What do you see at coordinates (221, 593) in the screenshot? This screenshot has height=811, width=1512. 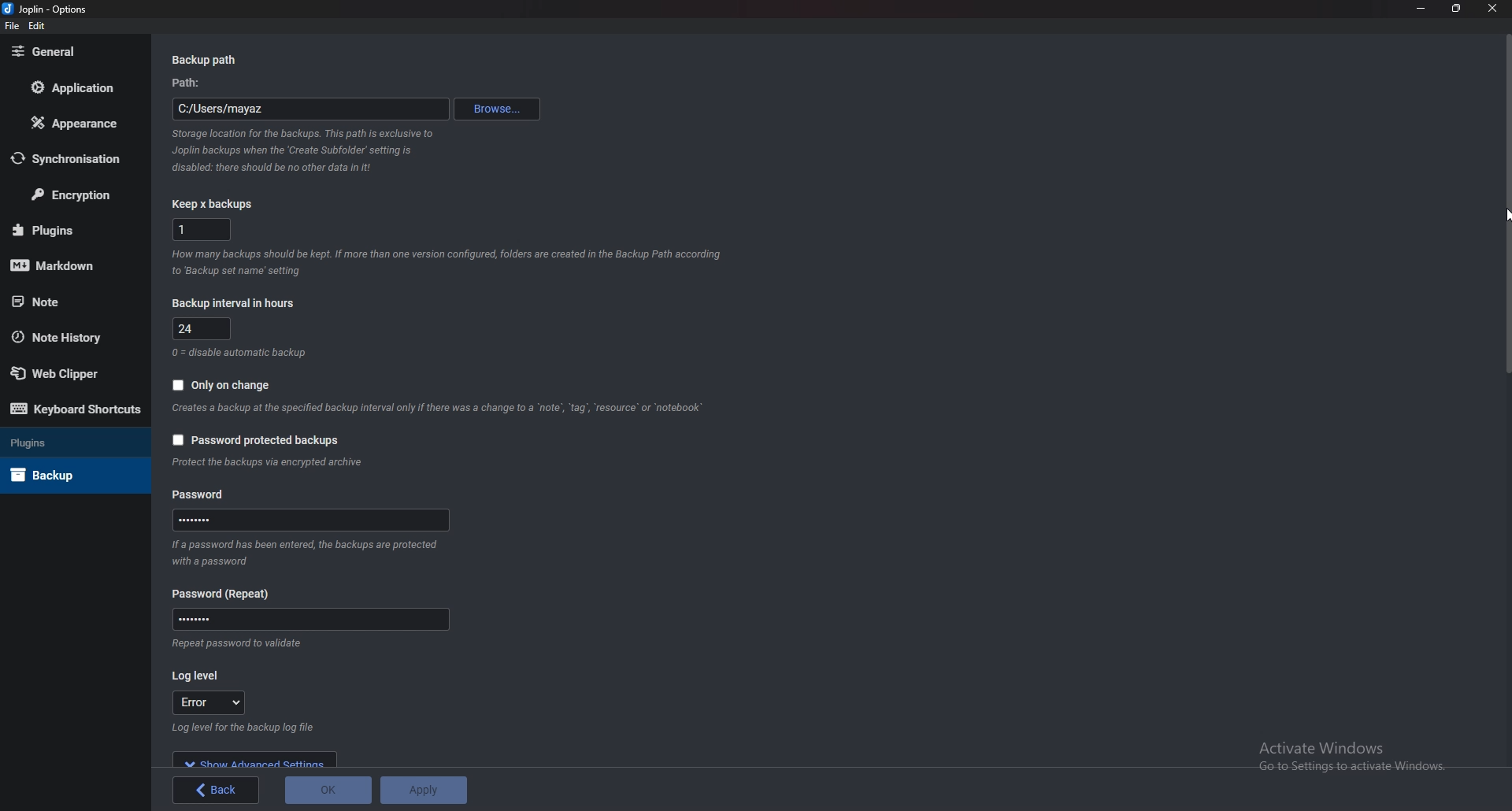 I see `Password` at bounding box center [221, 593].